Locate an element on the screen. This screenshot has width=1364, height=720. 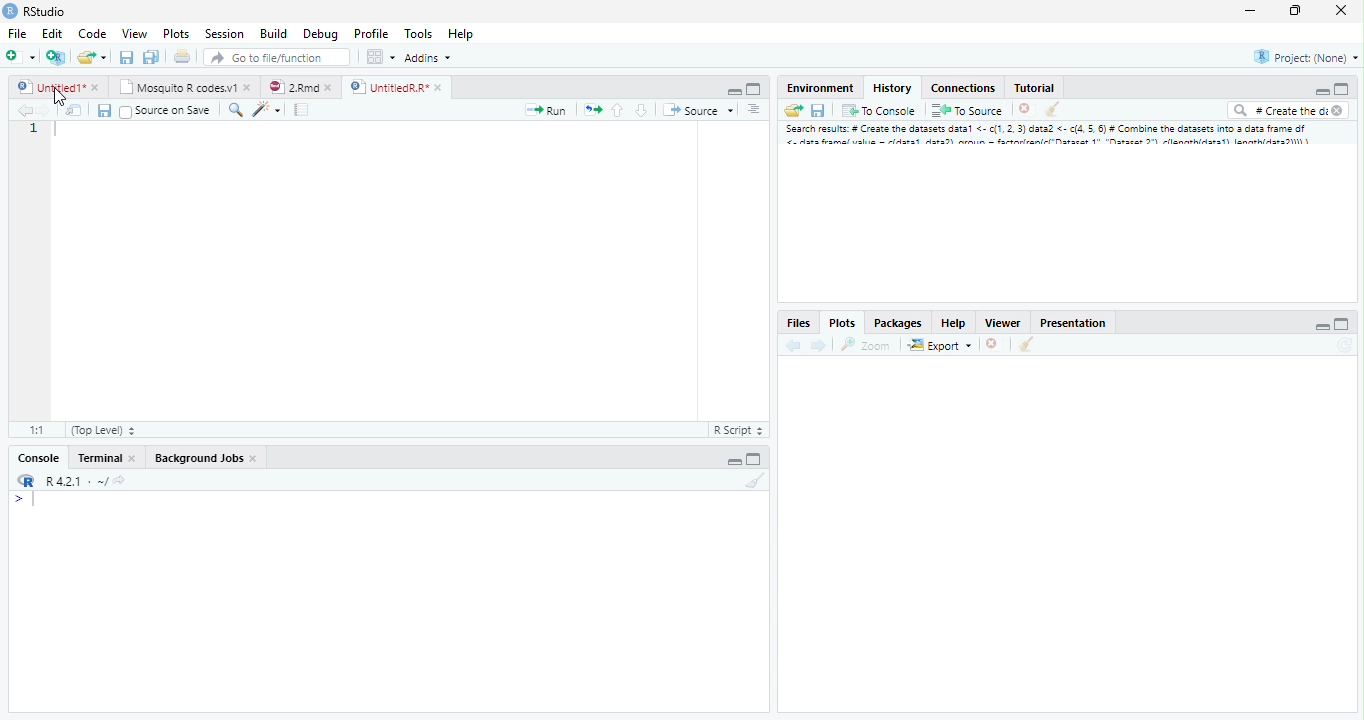
Mosquito R codes is located at coordinates (188, 87).